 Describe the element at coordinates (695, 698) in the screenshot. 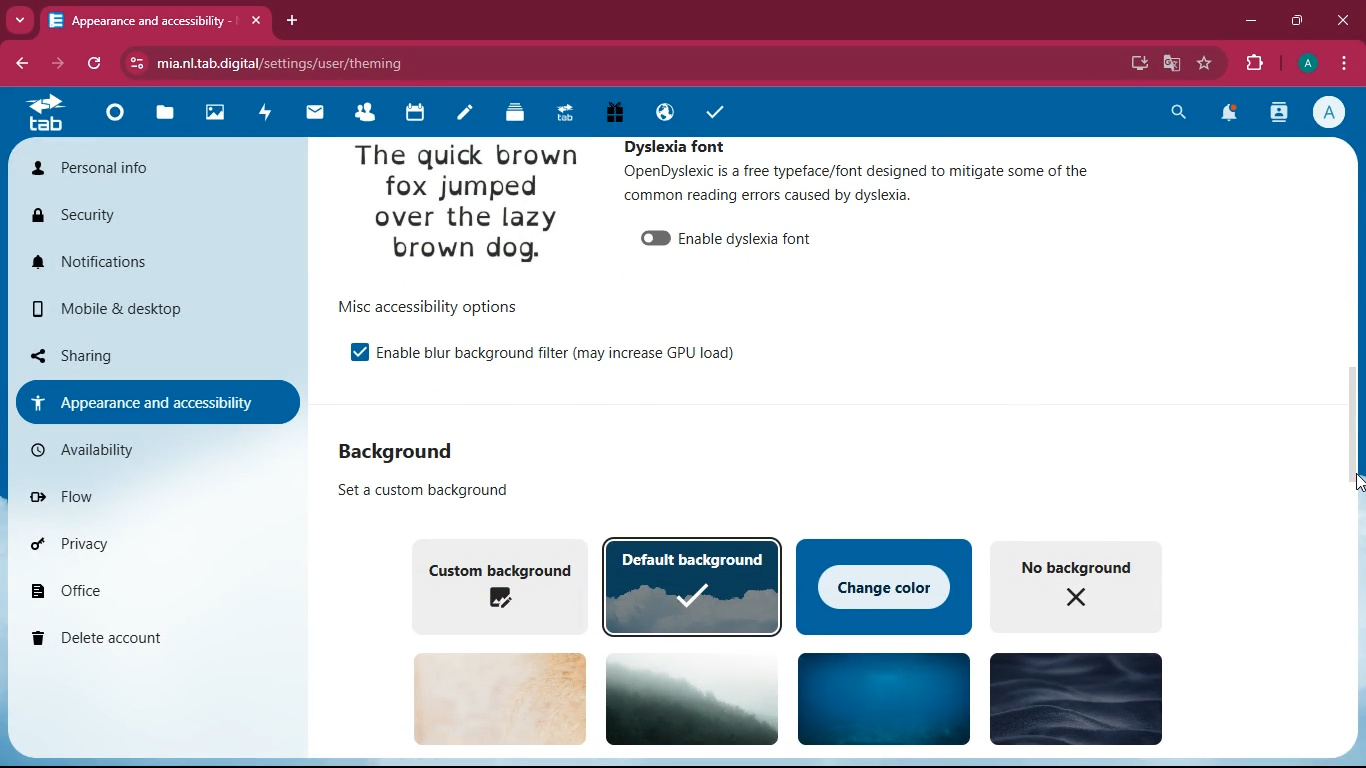

I see `background` at that location.